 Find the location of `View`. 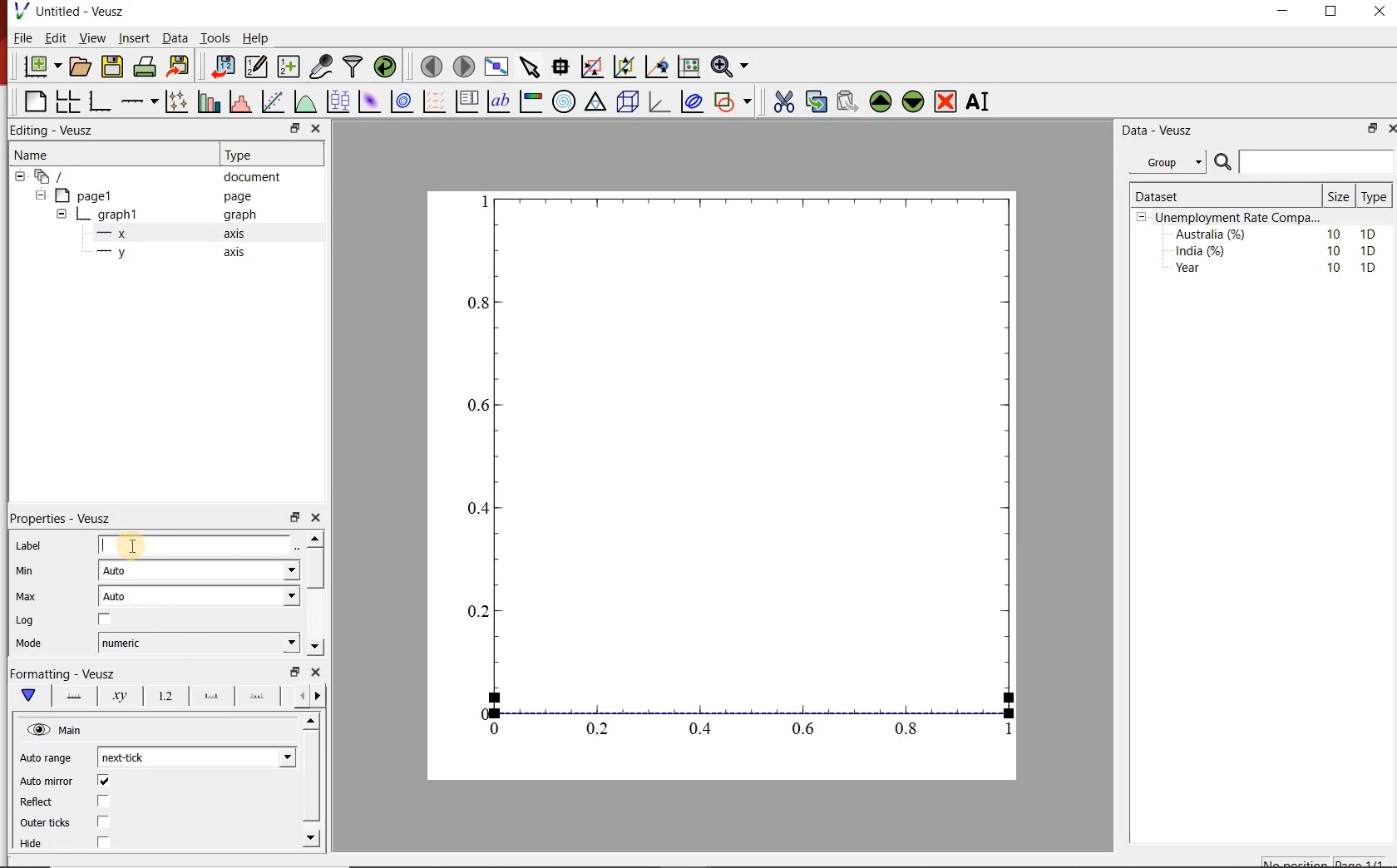

View is located at coordinates (91, 38).